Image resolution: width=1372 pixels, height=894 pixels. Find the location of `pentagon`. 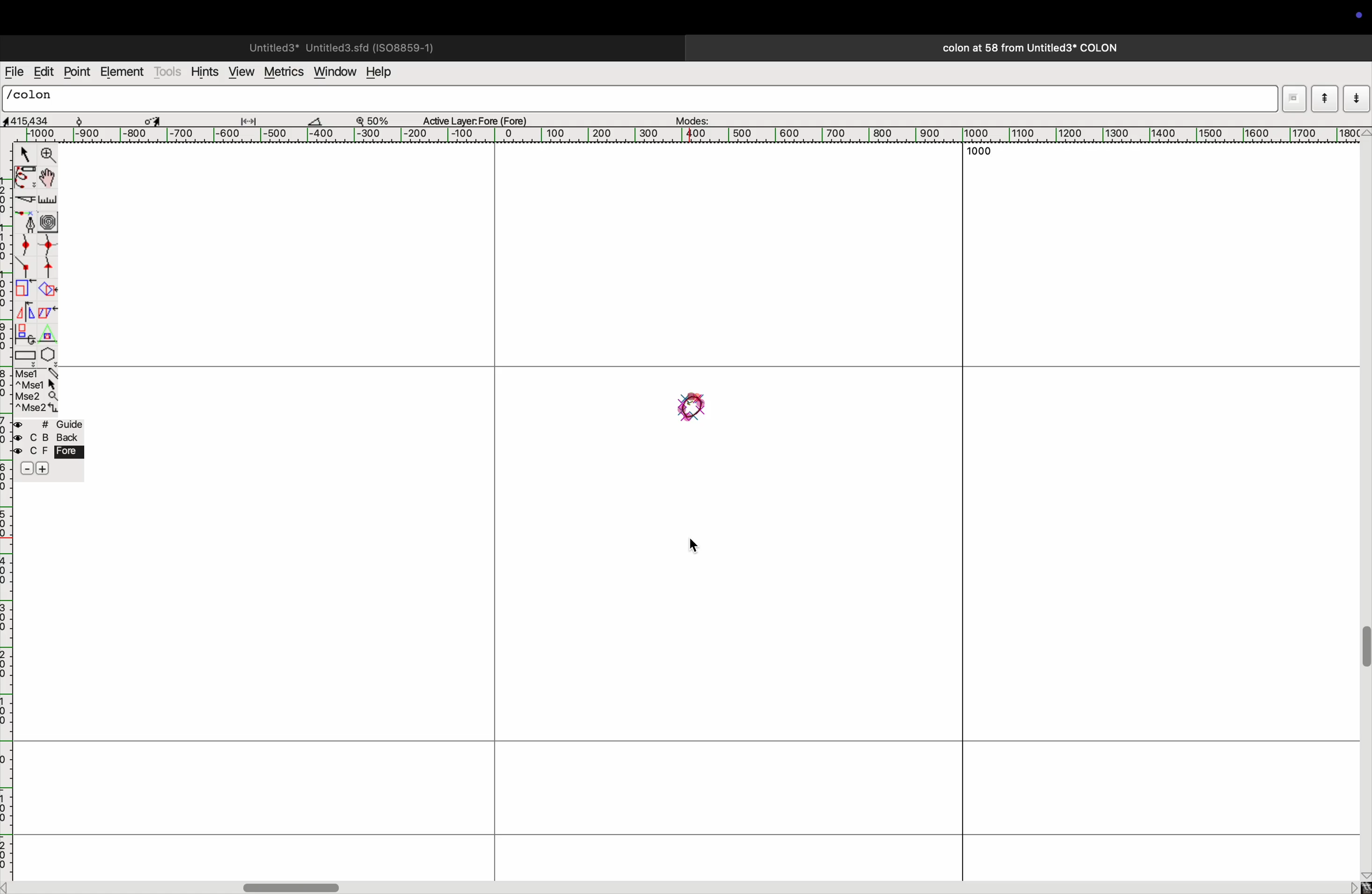

pentagon is located at coordinates (48, 345).